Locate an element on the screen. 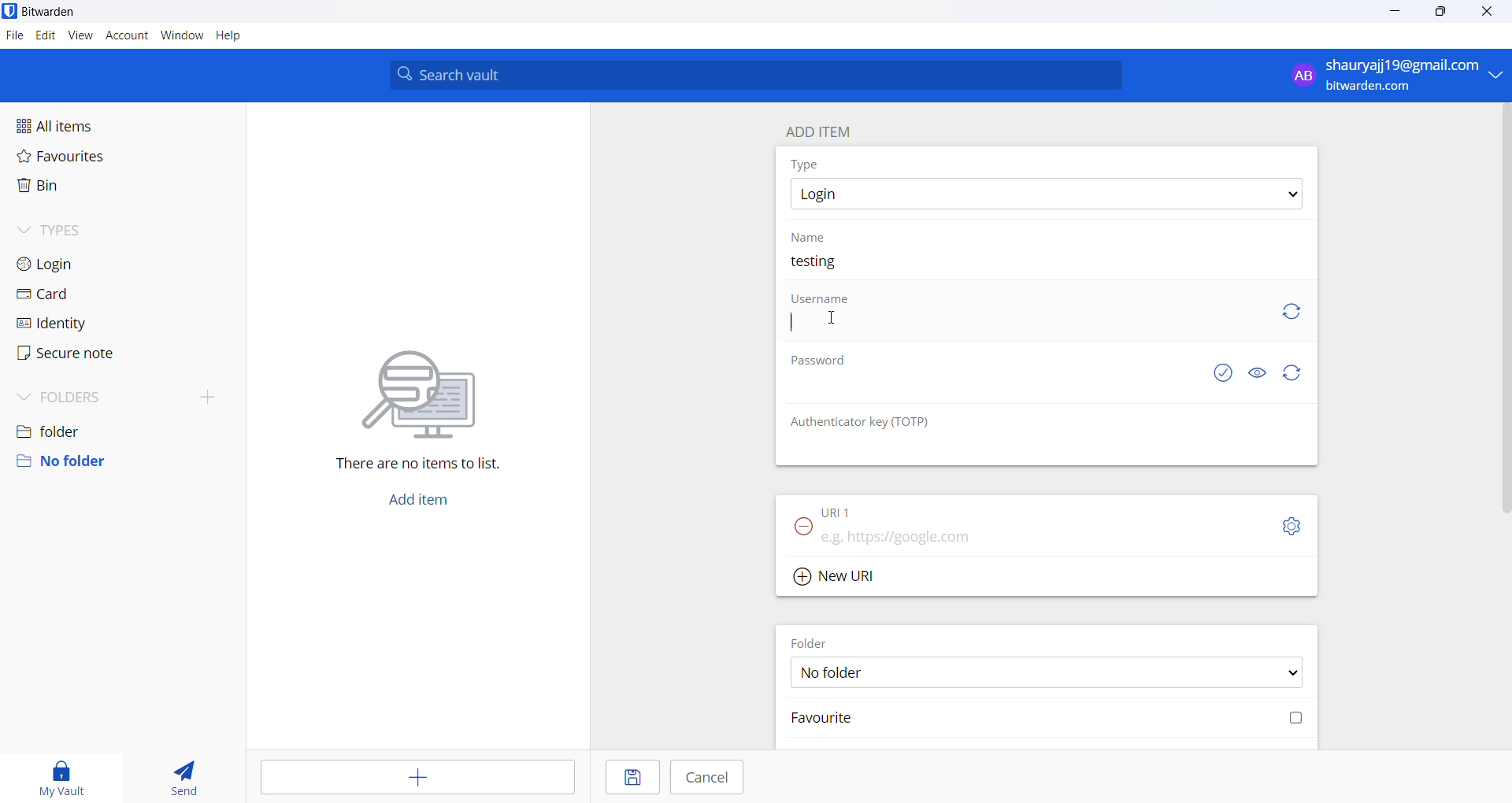  username input box is located at coordinates (1015, 327).